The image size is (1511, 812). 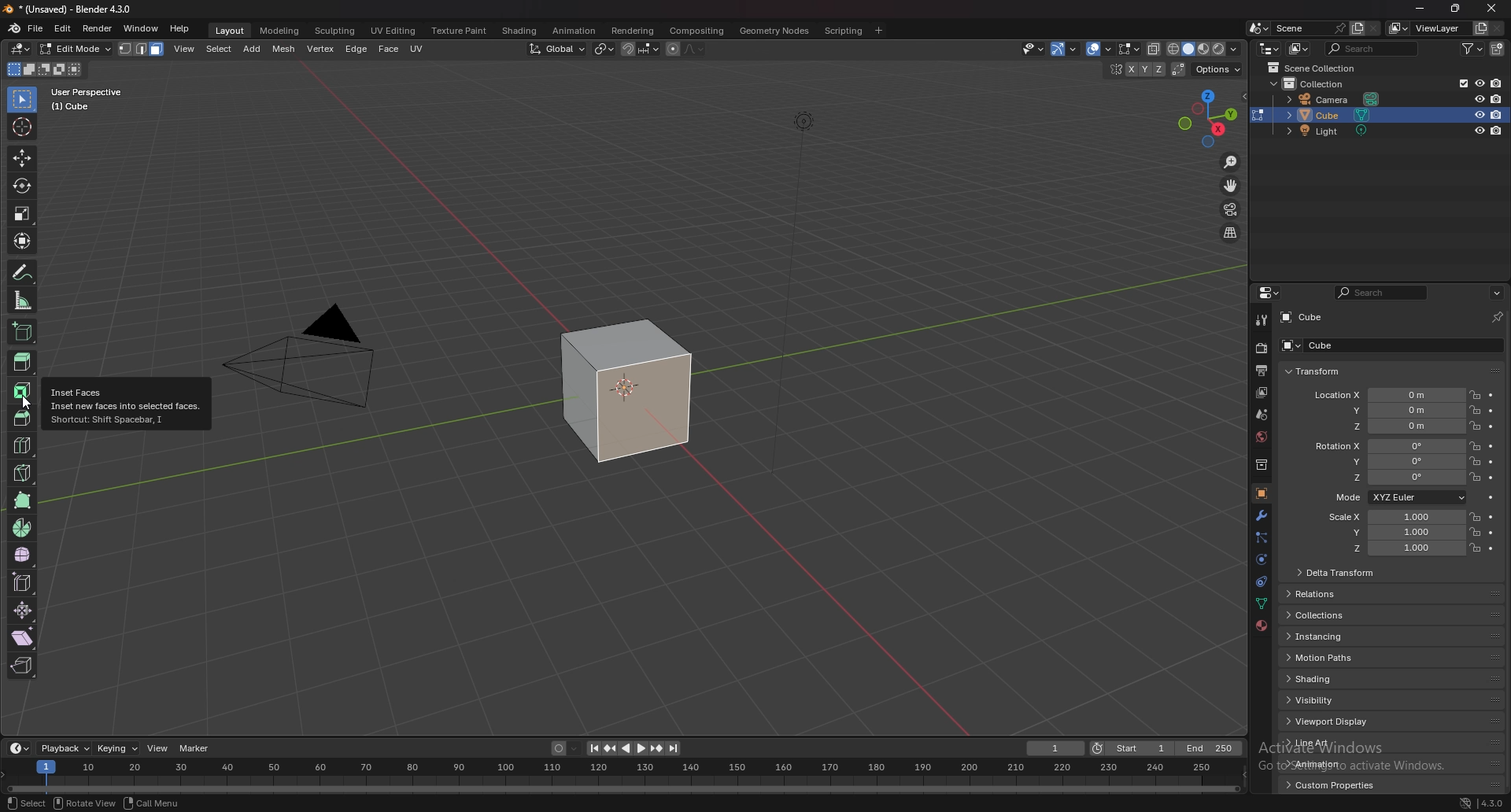 What do you see at coordinates (1211, 748) in the screenshot?
I see `end` at bounding box center [1211, 748].